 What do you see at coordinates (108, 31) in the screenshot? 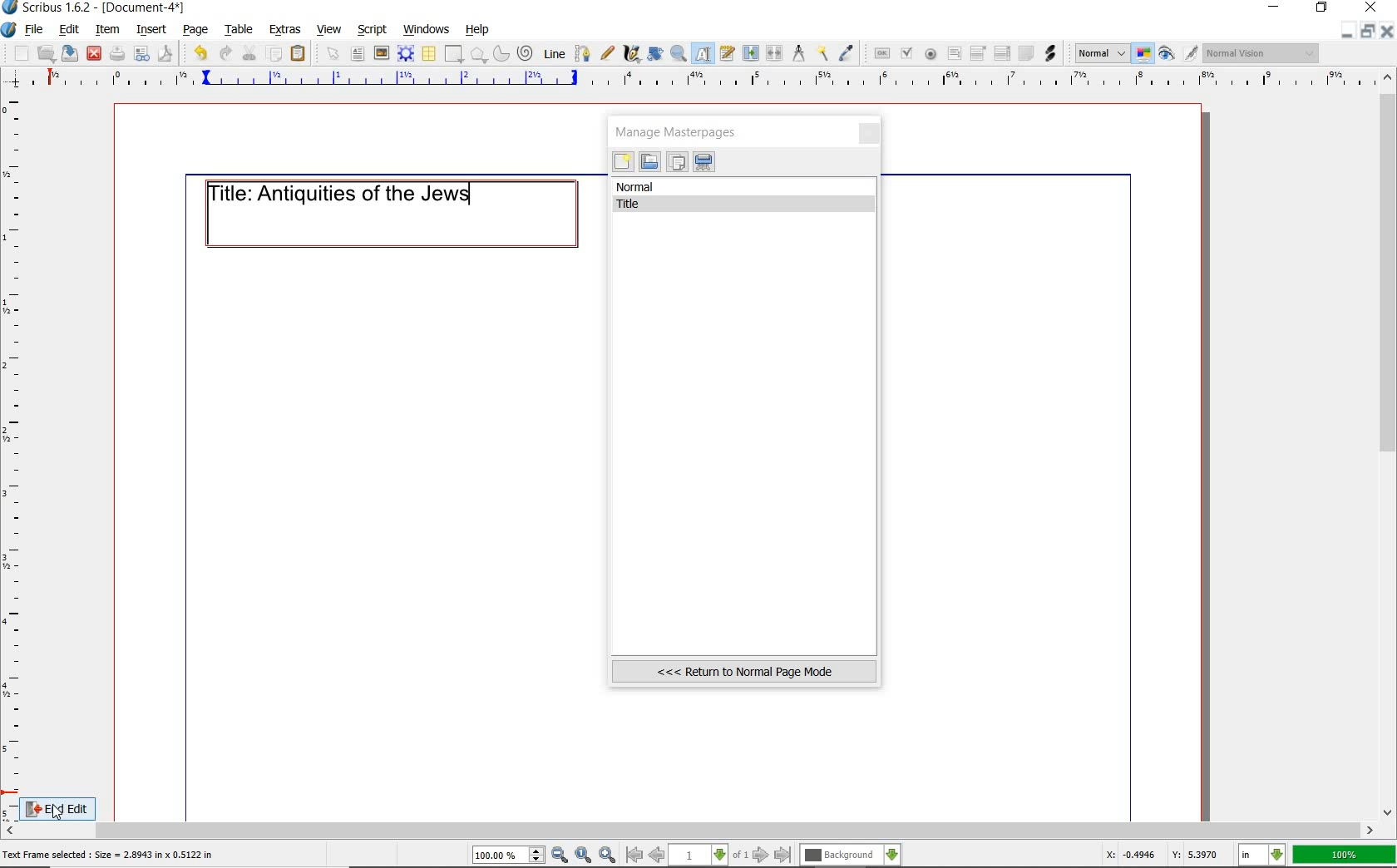
I see `item` at bounding box center [108, 31].